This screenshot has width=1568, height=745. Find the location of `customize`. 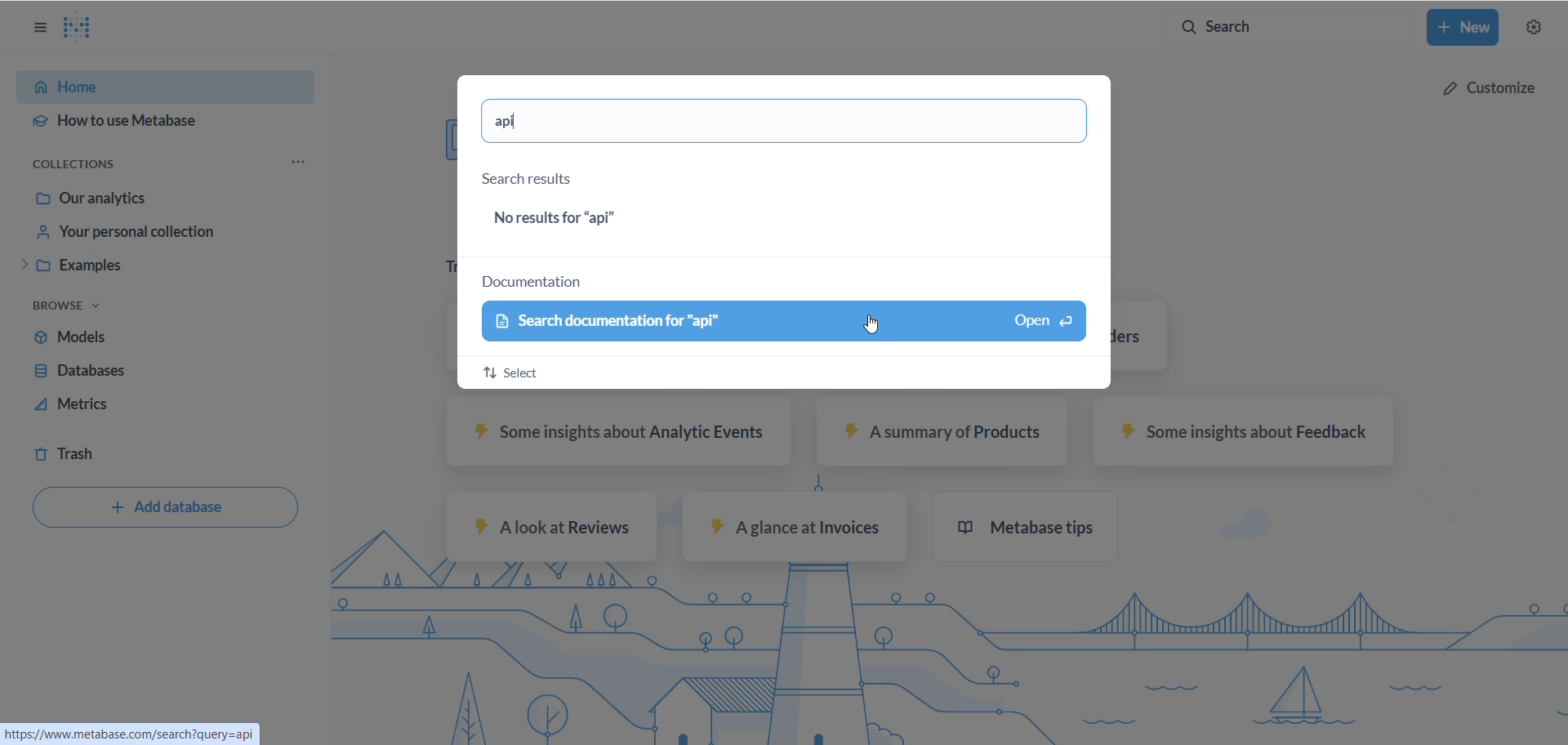

customize is located at coordinates (1488, 87).